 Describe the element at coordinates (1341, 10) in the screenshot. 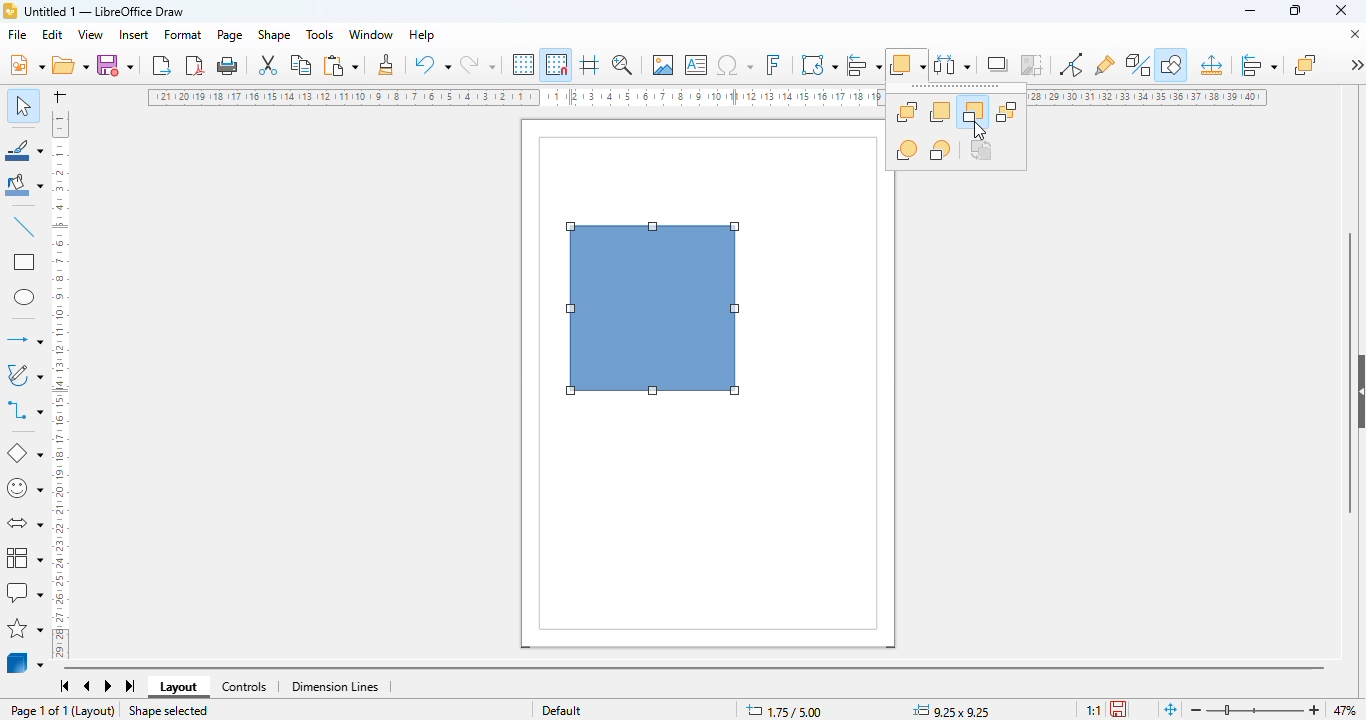

I see `close` at that location.